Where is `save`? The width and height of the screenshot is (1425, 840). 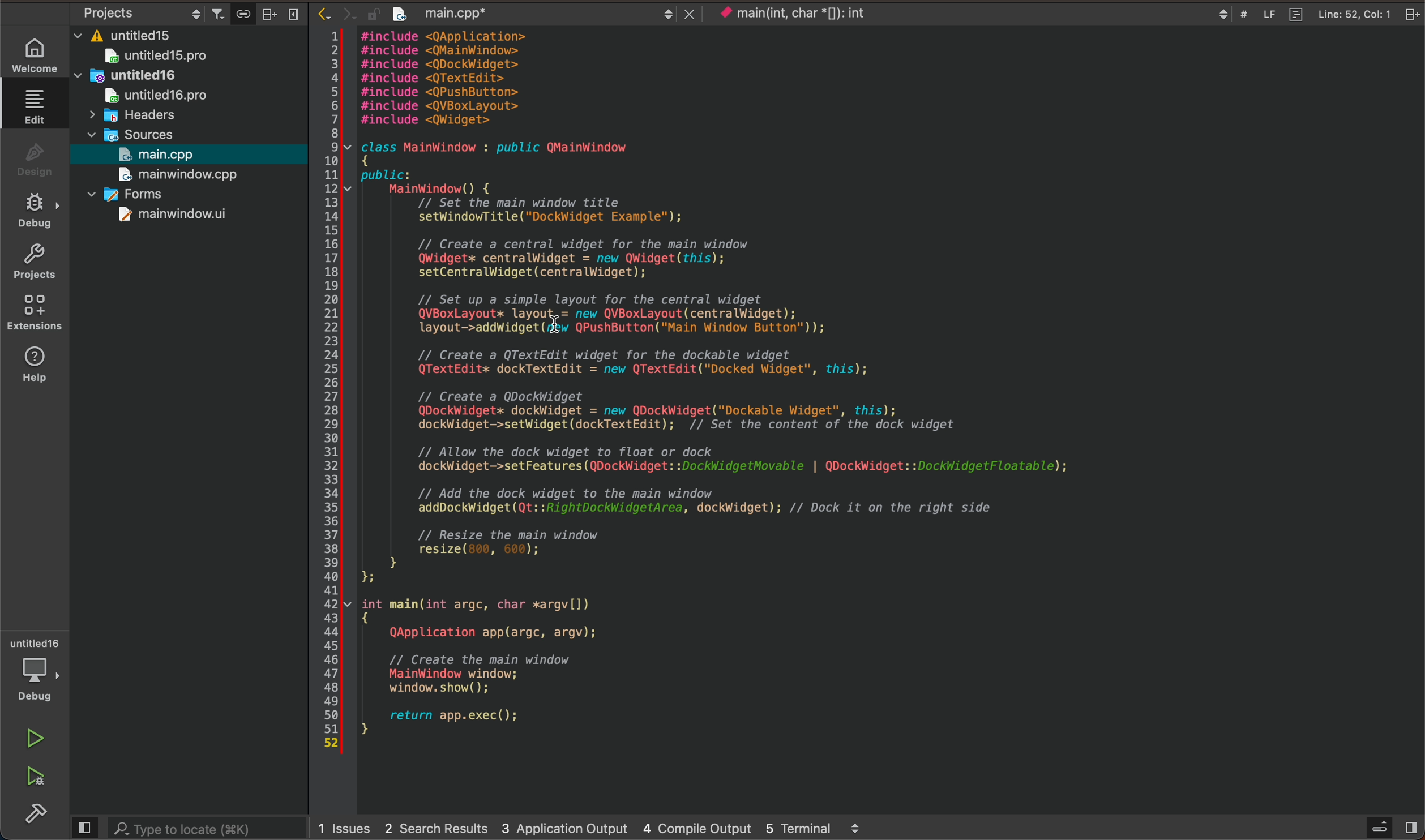 save is located at coordinates (243, 12).